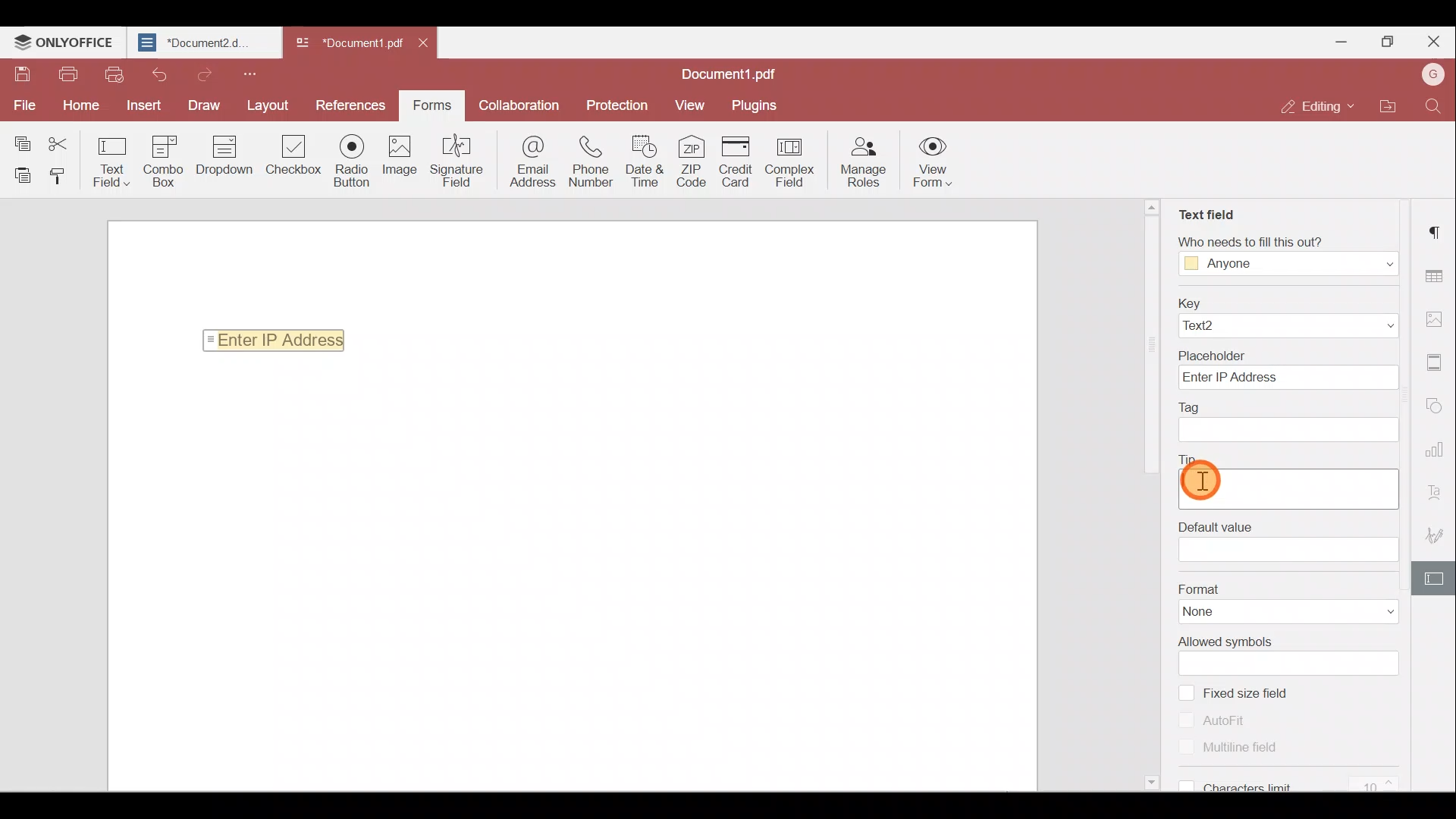  What do you see at coordinates (23, 104) in the screenshot?
I see `File` at bounding box center [23, 104].